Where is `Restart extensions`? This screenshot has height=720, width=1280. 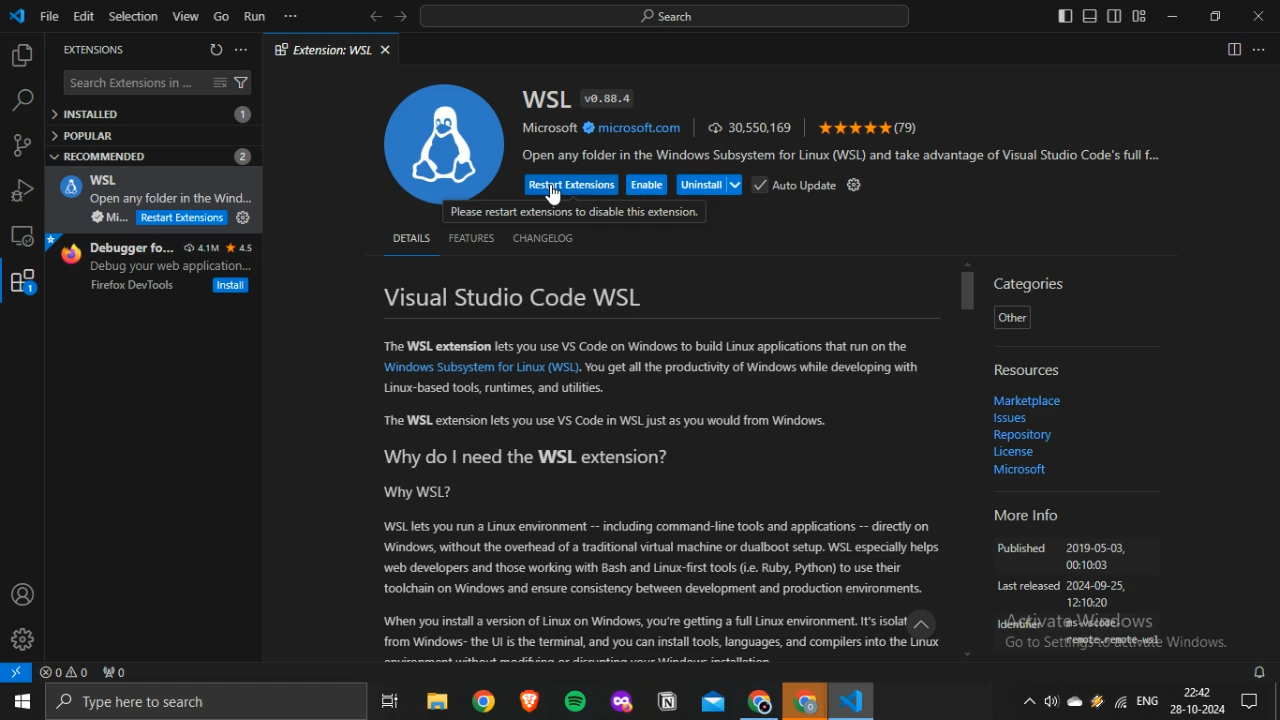
Restart extensions is located at coordinates (182, 218).